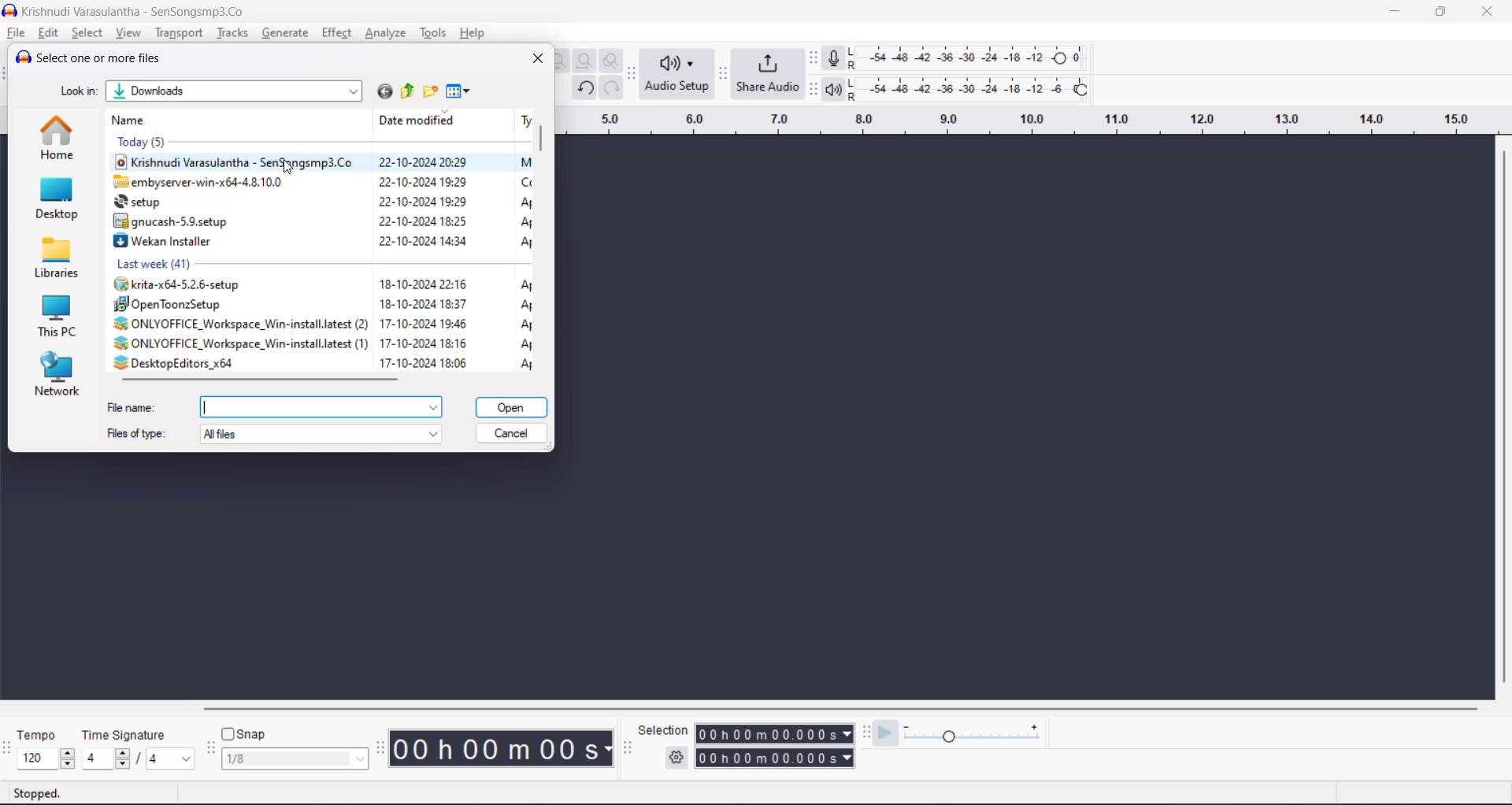  Describe the element at coordinates (232, 32) in the screenshot. I see `tracks` at that location.